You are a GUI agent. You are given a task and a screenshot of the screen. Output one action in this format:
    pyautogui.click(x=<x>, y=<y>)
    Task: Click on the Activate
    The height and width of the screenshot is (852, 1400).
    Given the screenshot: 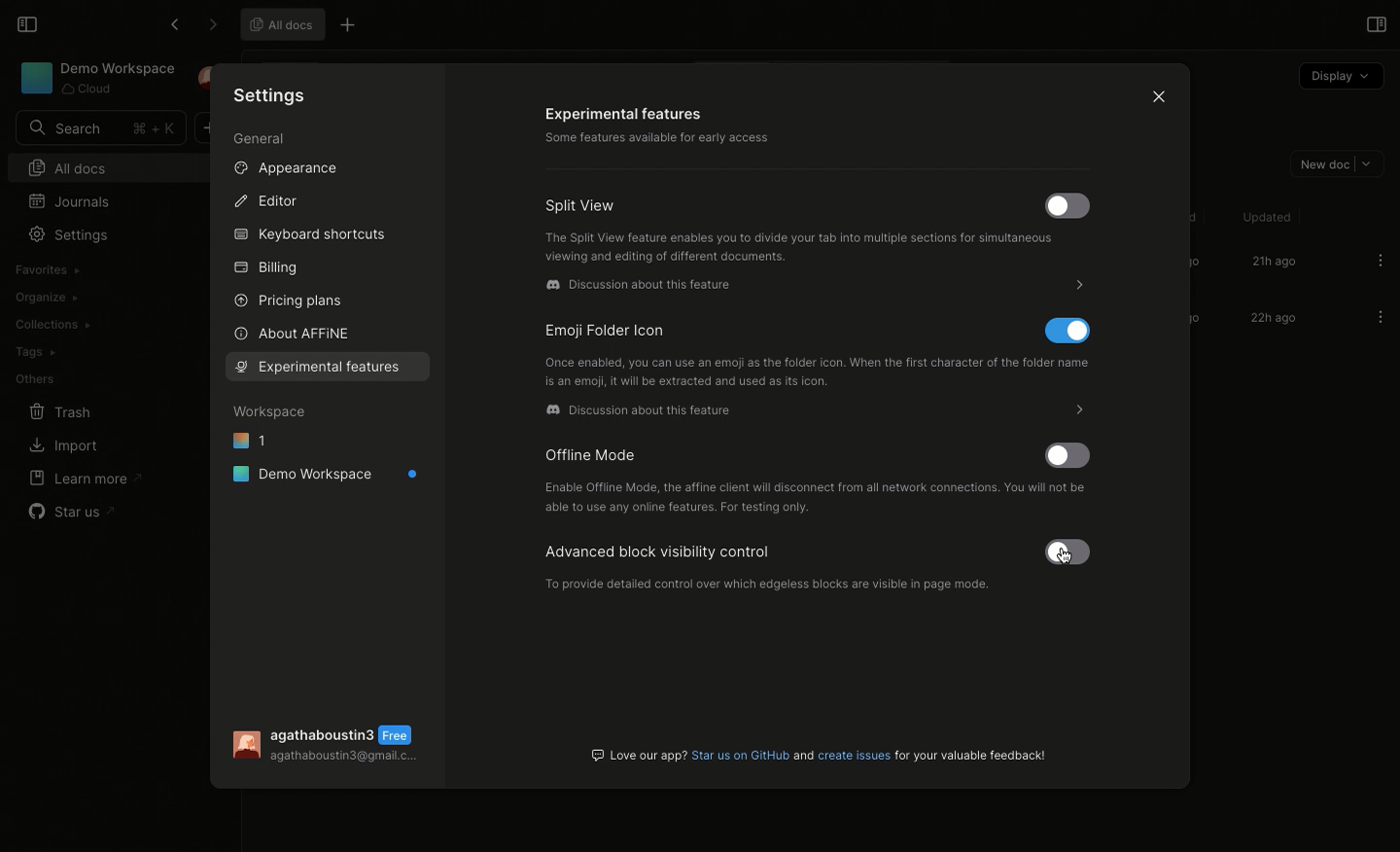 What is the action you would take?
    pyautogui.click(x=1063, y=552)
    